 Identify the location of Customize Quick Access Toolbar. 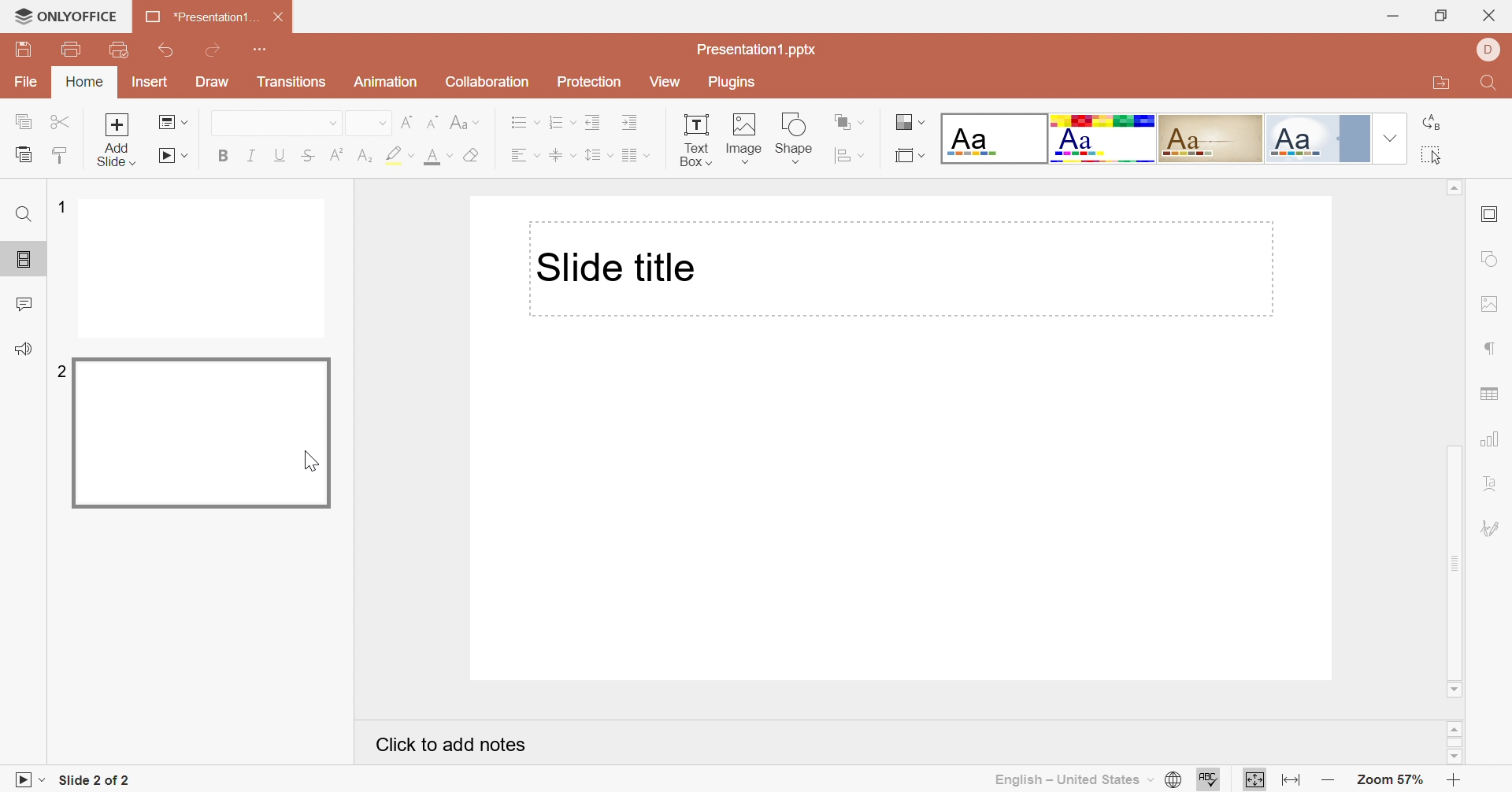
(261, 51).